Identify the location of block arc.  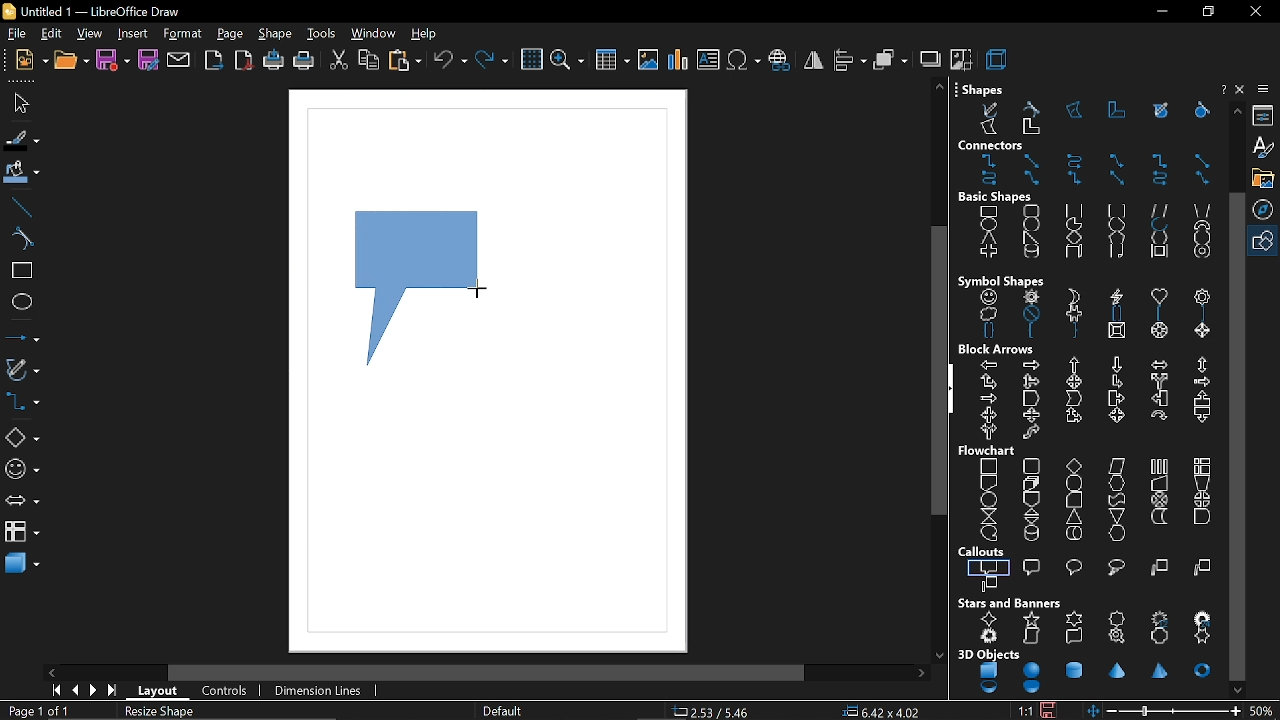
(1202, 225).